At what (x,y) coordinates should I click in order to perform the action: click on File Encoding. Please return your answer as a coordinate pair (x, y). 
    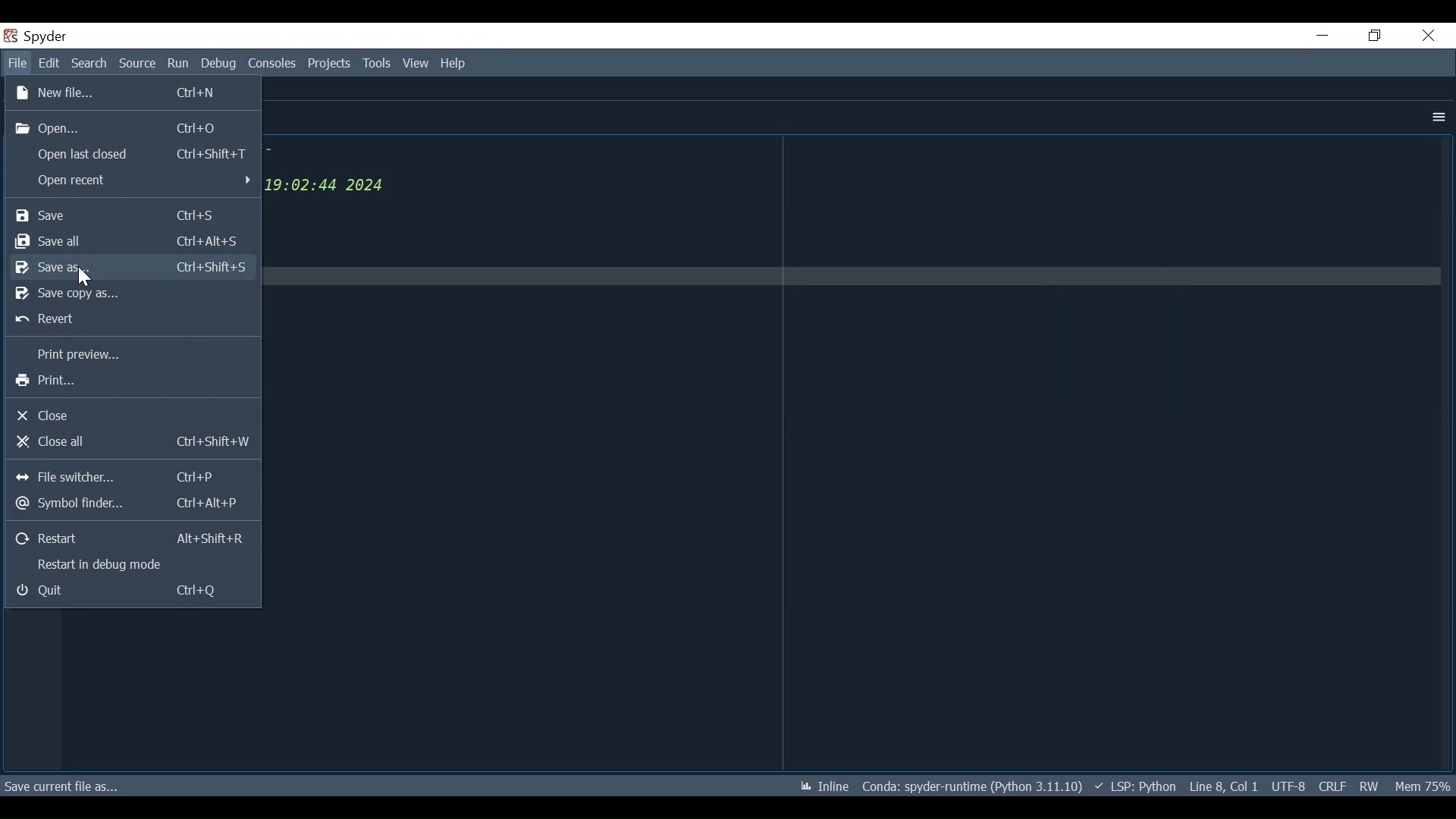
    Looking at the image, I should click on (1289, 786).